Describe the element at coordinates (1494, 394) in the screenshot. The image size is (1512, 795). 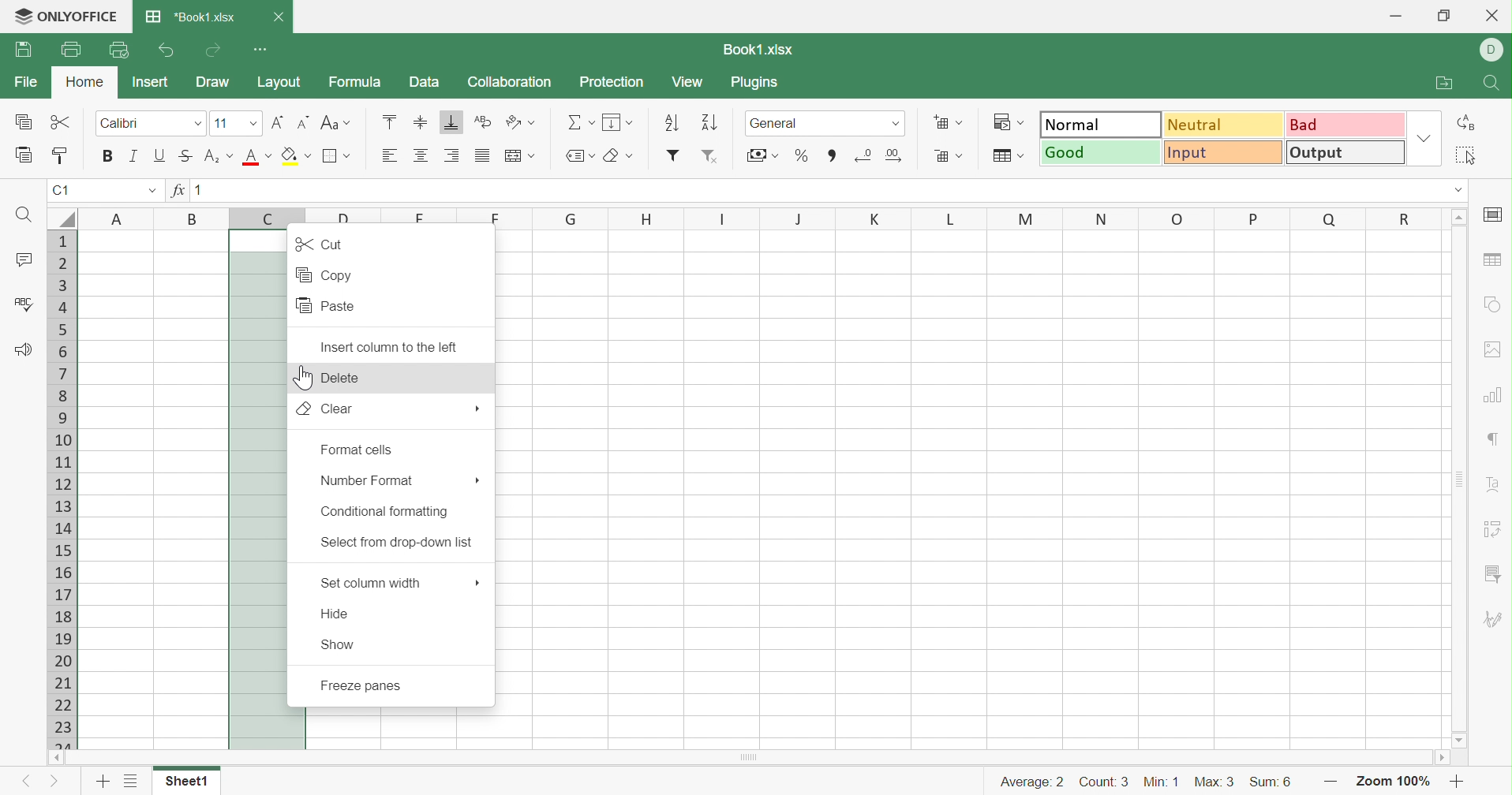
I see `Chart settings` at that location.